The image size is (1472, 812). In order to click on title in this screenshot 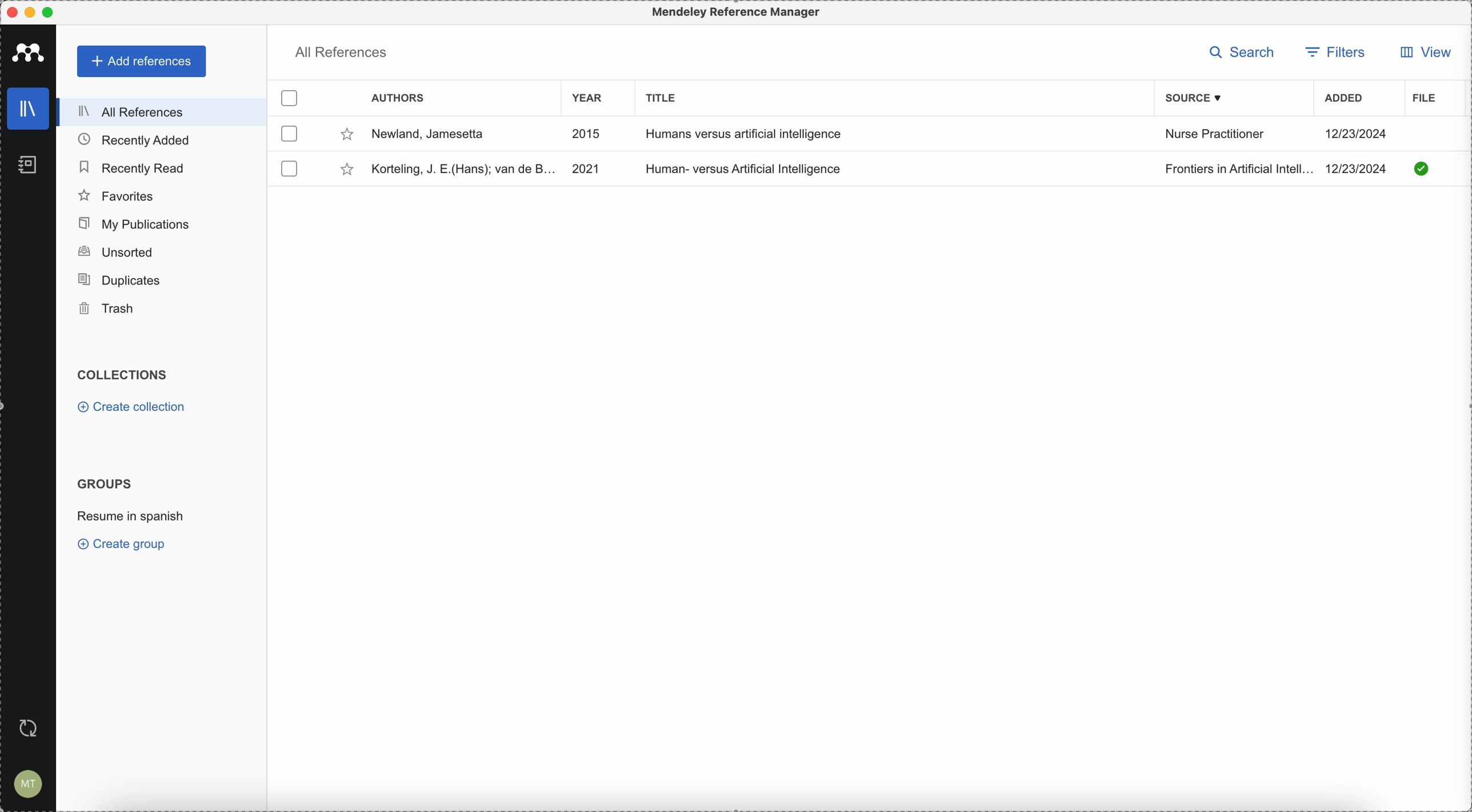, I will do `click(662, 97)`.